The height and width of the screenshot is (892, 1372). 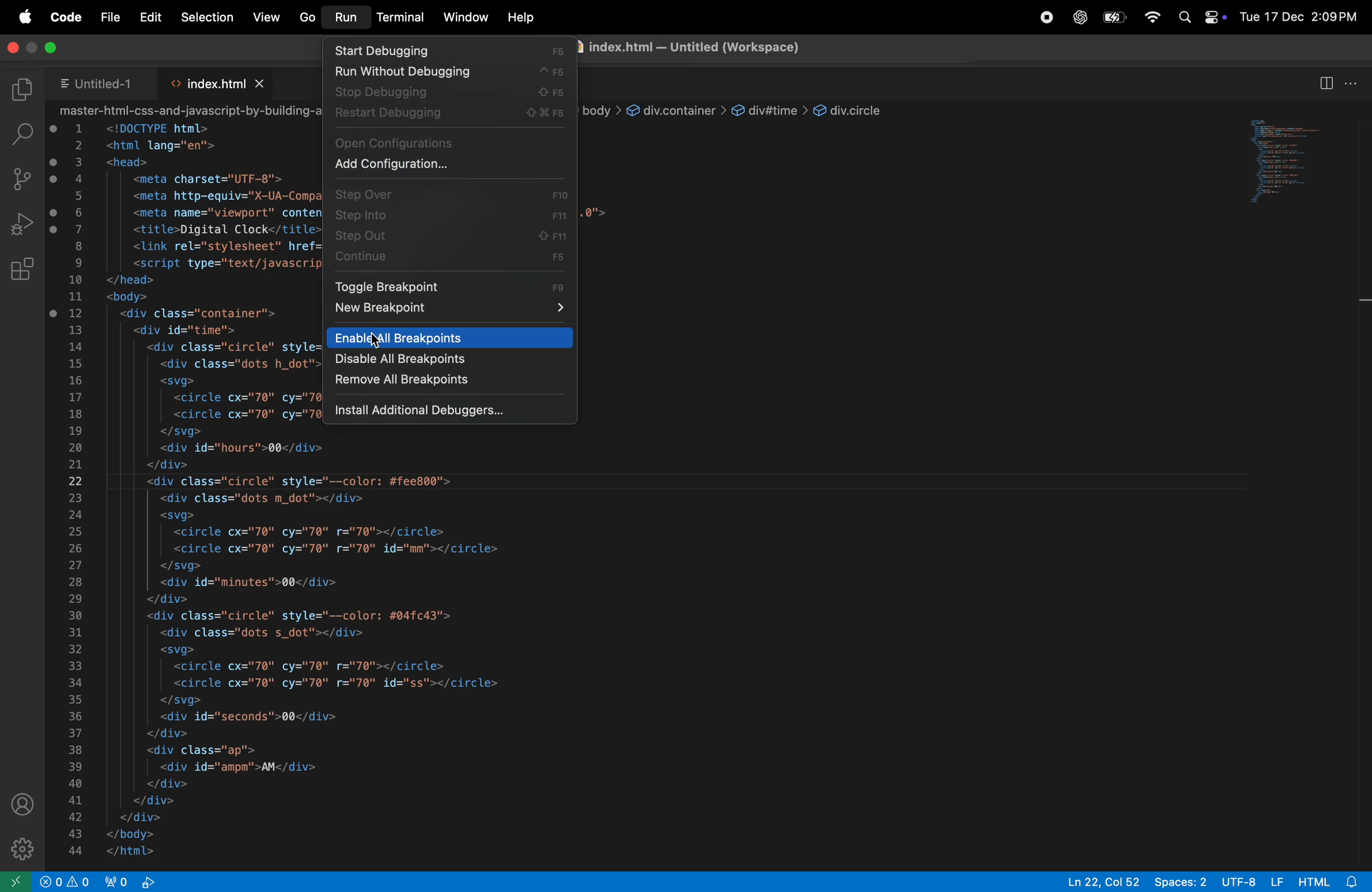 What do you see at coordinates (49, 47) in the screenshot?
I see `maximum` at bounding box center [49, 47].